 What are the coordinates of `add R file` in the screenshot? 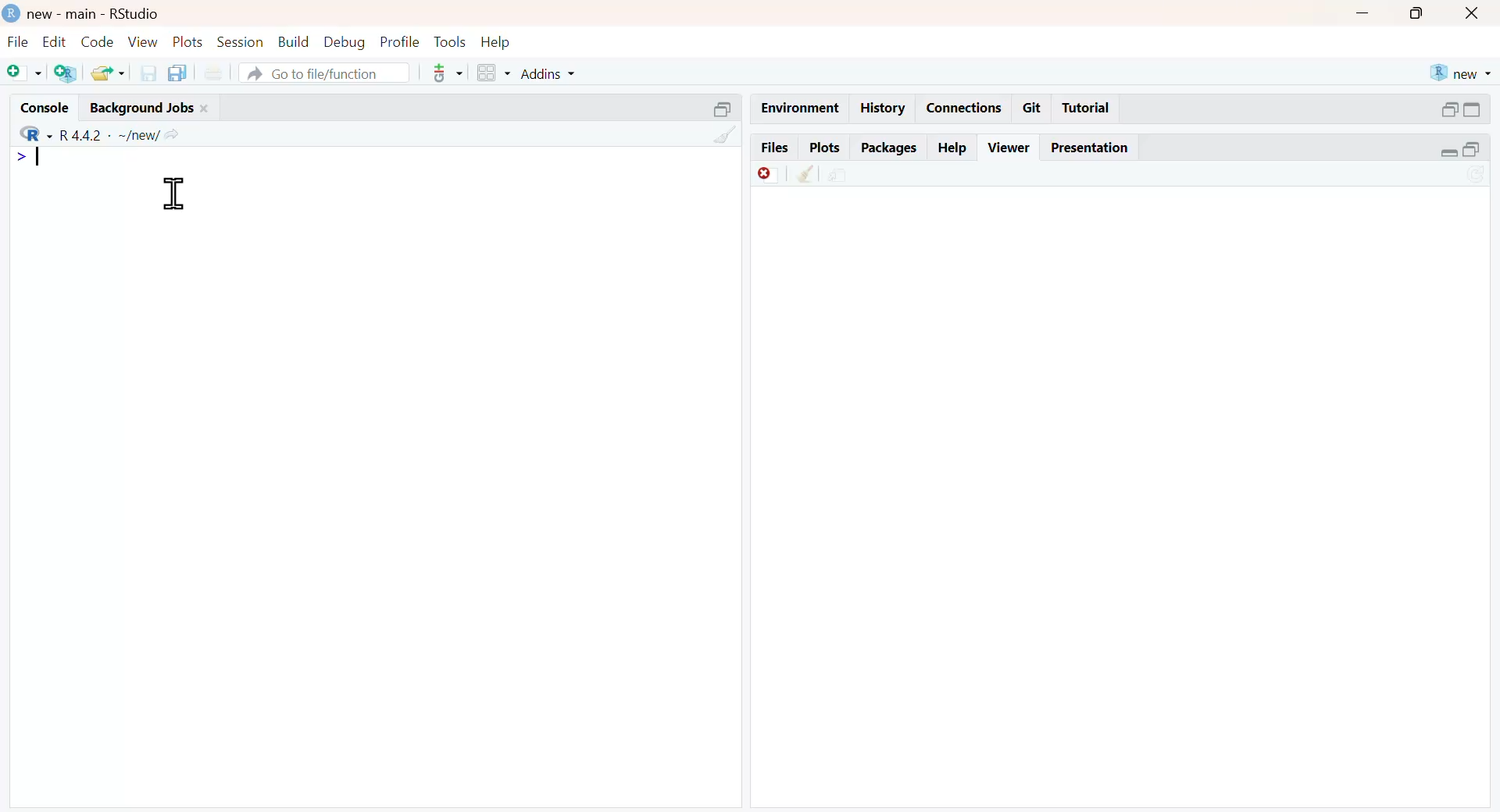 It's located at (66, 74).